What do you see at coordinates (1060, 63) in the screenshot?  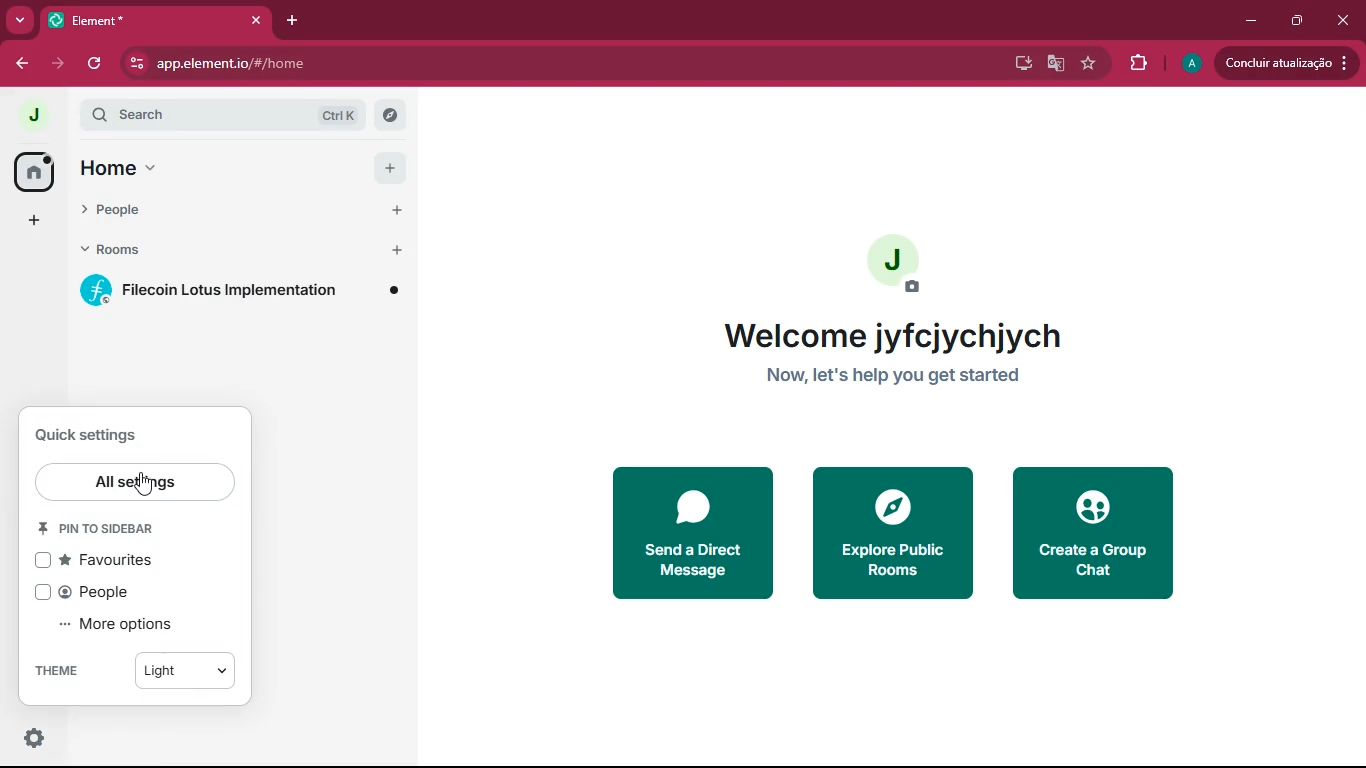 I see `google translate` at bounding box center [1060, 63].